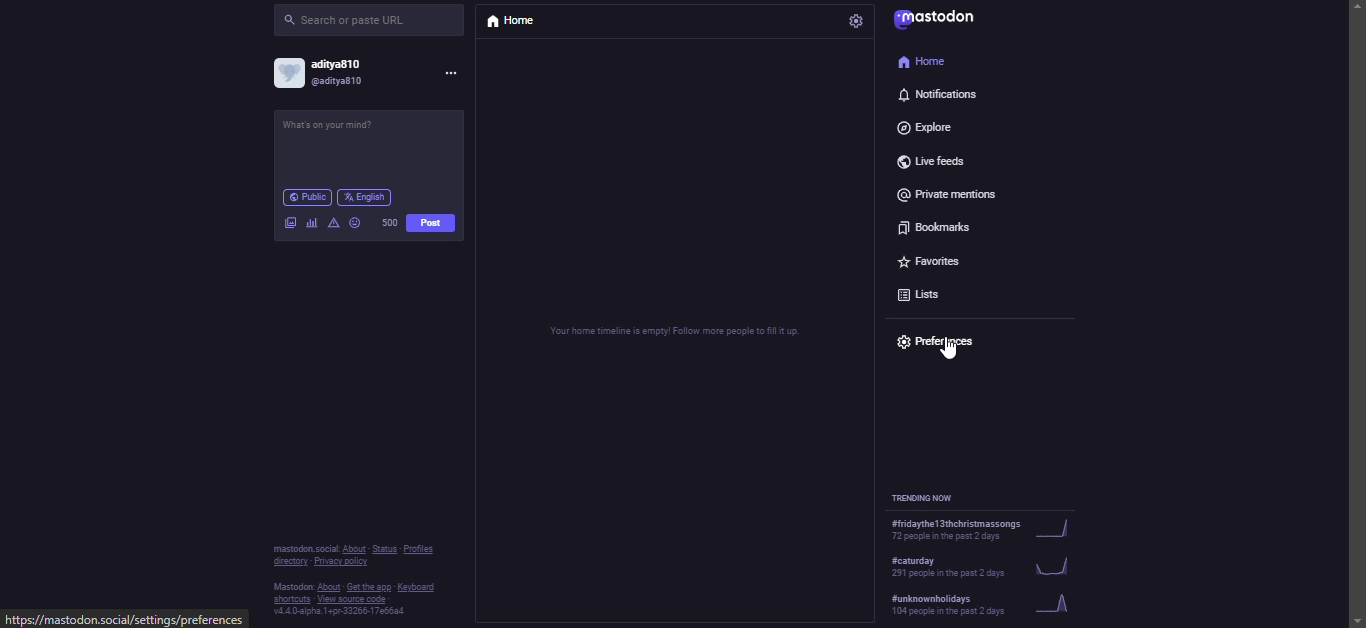 The width and height of the screenshot is (1366, 628). I want to click on search, so click(352, 21).